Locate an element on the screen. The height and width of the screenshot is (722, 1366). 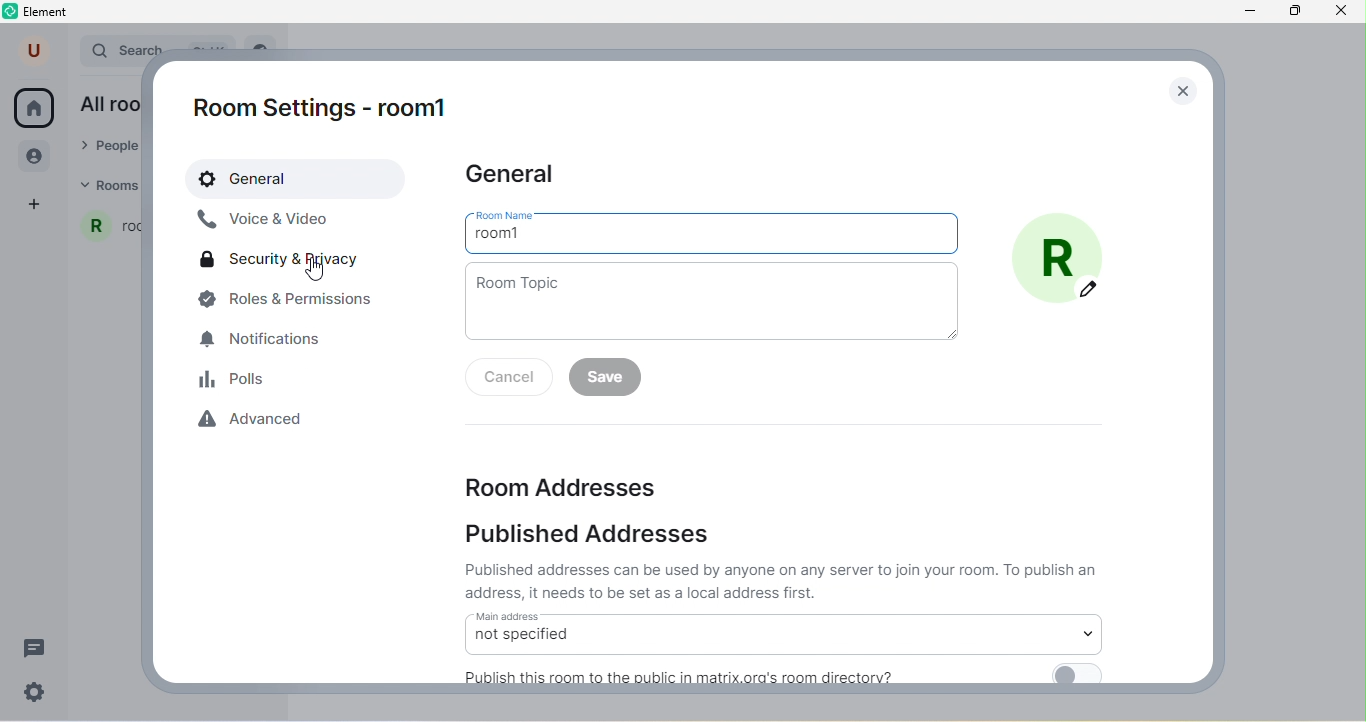
room addresses is located at coordinates (548, 494).